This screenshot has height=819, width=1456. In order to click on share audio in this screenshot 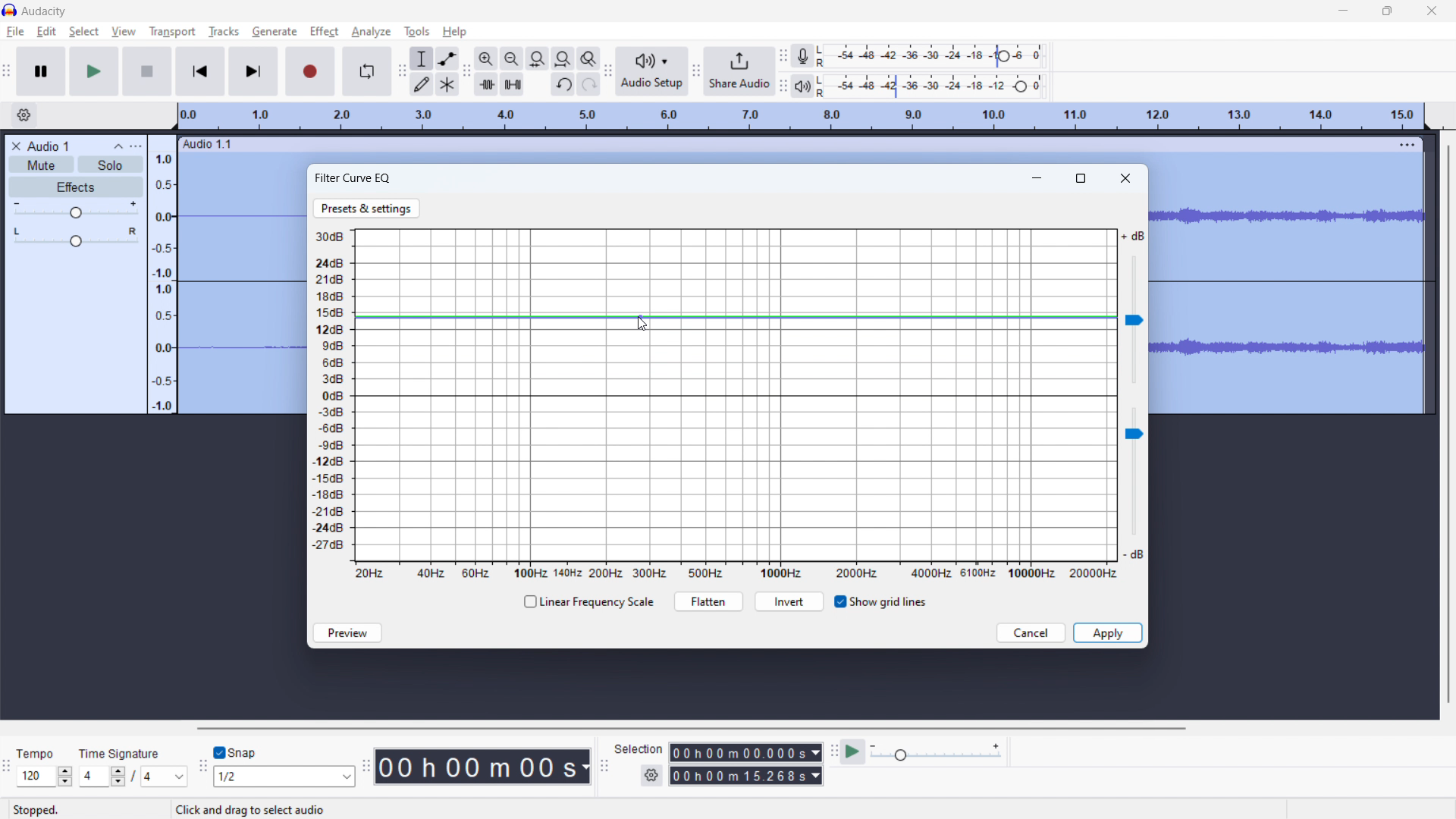, I will do `click(740, 71)`.